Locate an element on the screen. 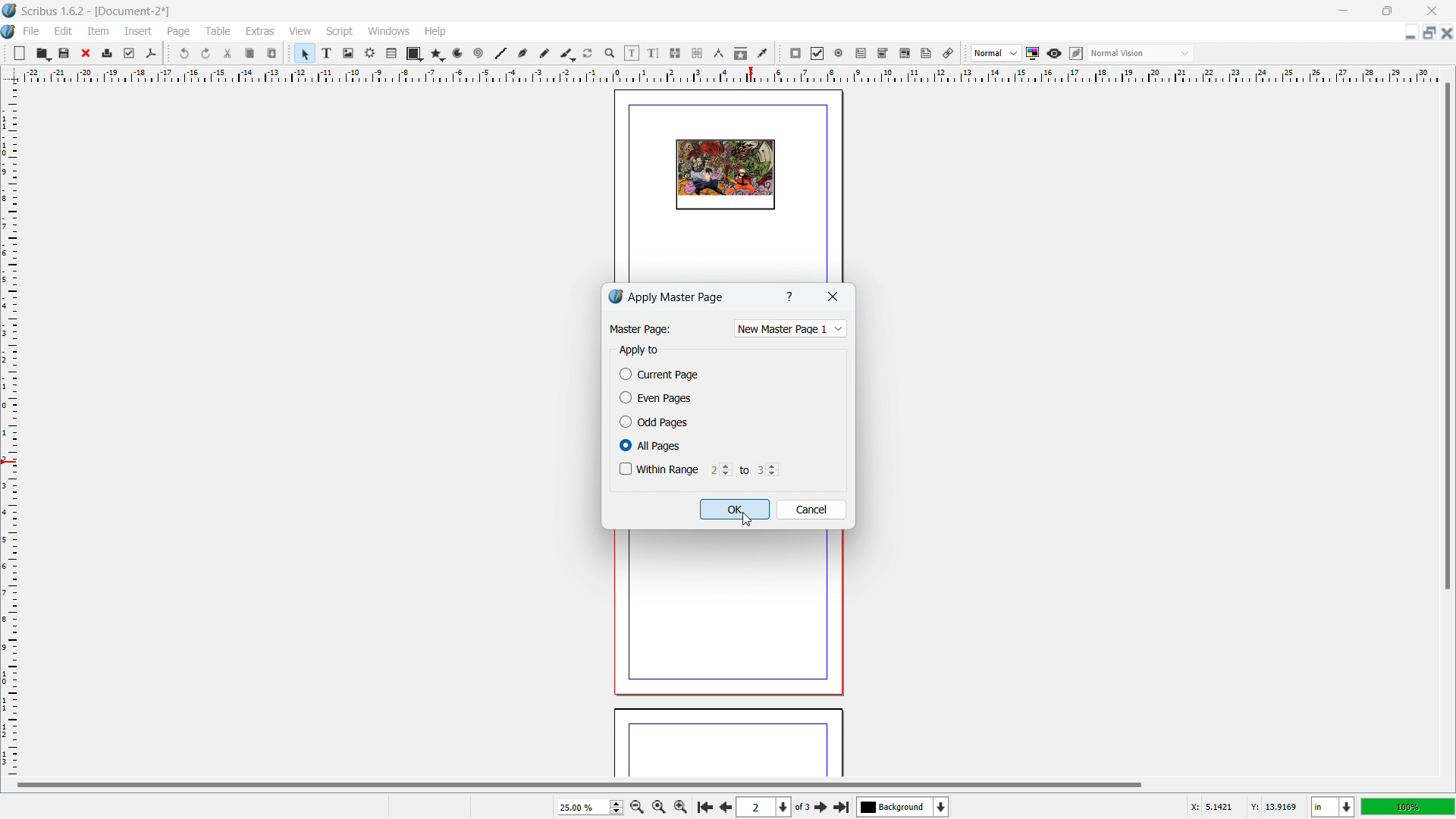 This screenshot has width=1456, height=819. cut is located at coordinates (229, 53).